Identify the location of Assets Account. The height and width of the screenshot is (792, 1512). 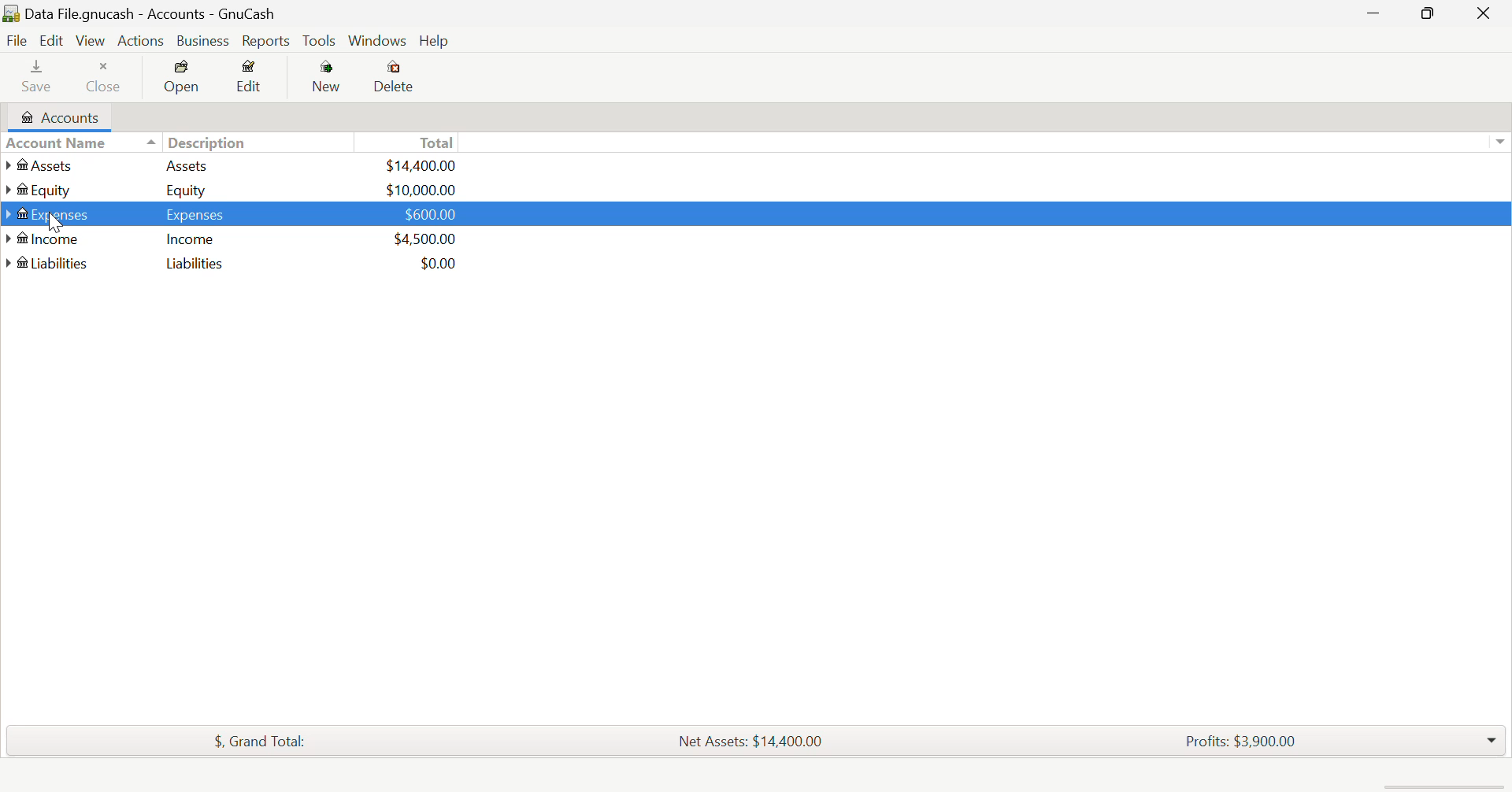
(39, 167).